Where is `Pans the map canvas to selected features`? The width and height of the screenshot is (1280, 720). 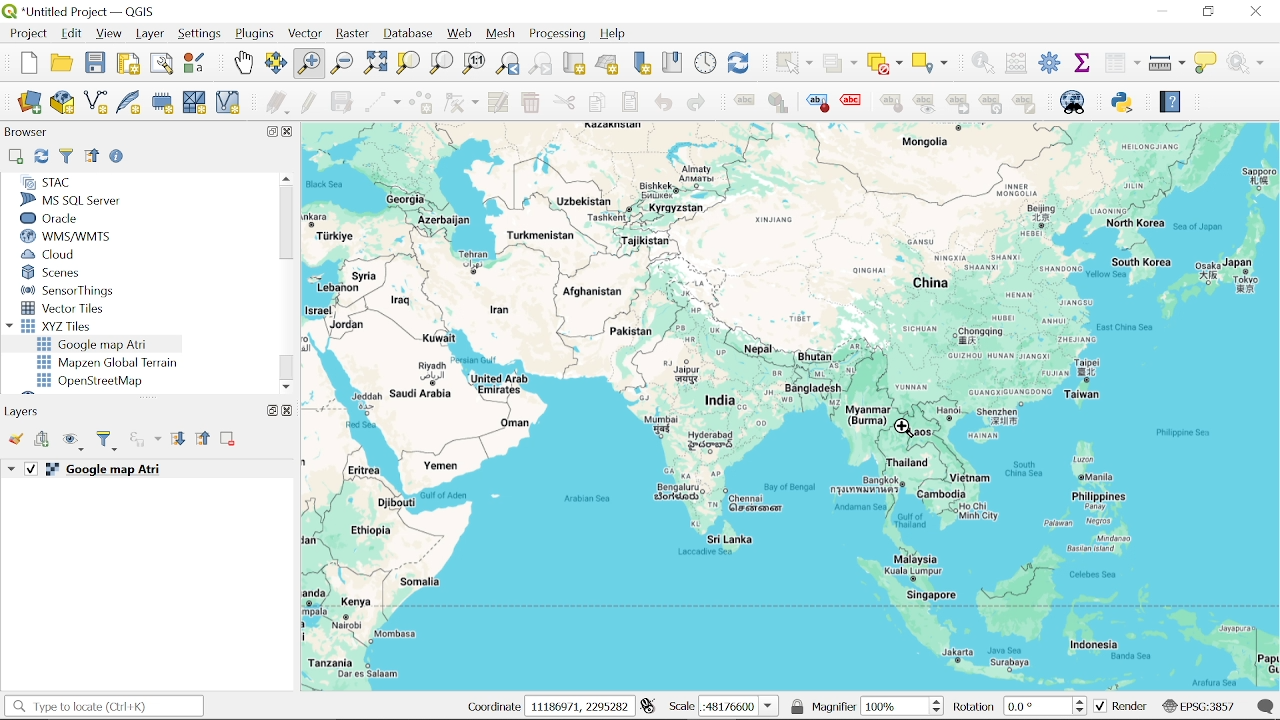
Pans the map canvas to selected features is located at coordinates (276, 64).